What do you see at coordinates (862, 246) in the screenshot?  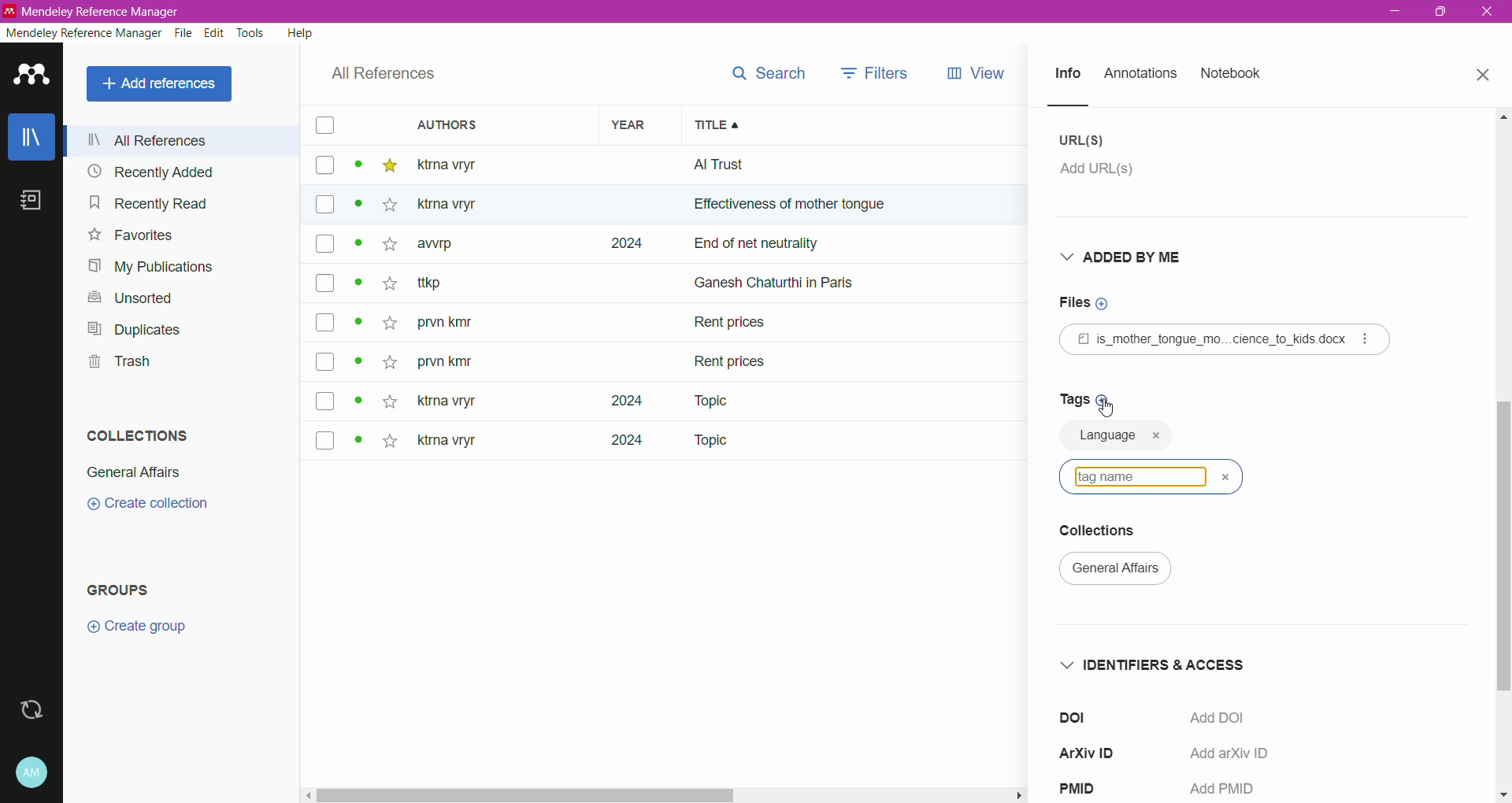 I see `end of net neutrally ` at bounding box center [862, 246].